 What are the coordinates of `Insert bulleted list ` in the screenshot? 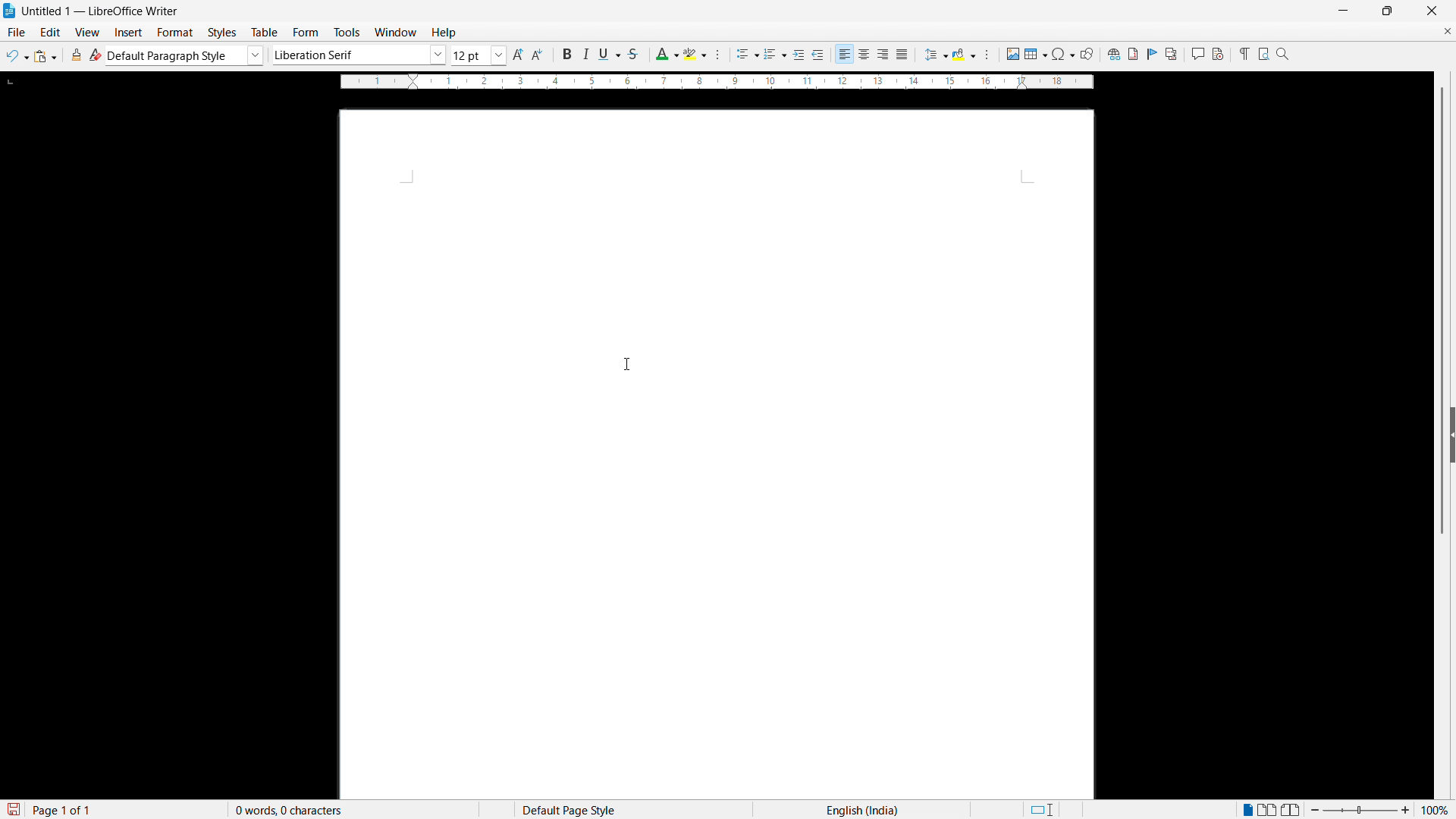 It's located at (748, 55).